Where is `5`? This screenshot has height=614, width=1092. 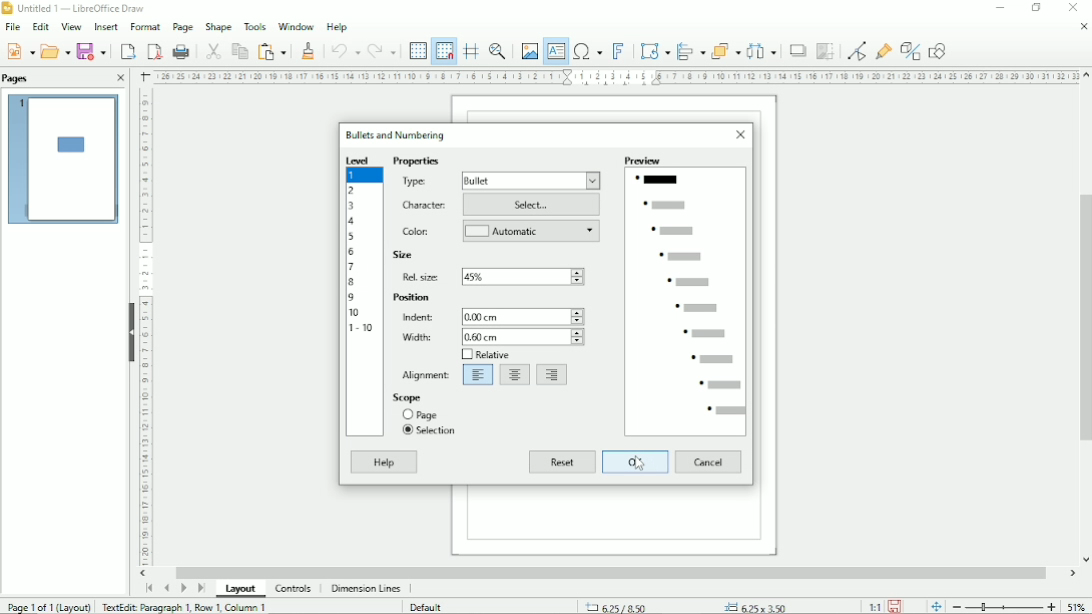 5 is located at coordinates (351, 236).